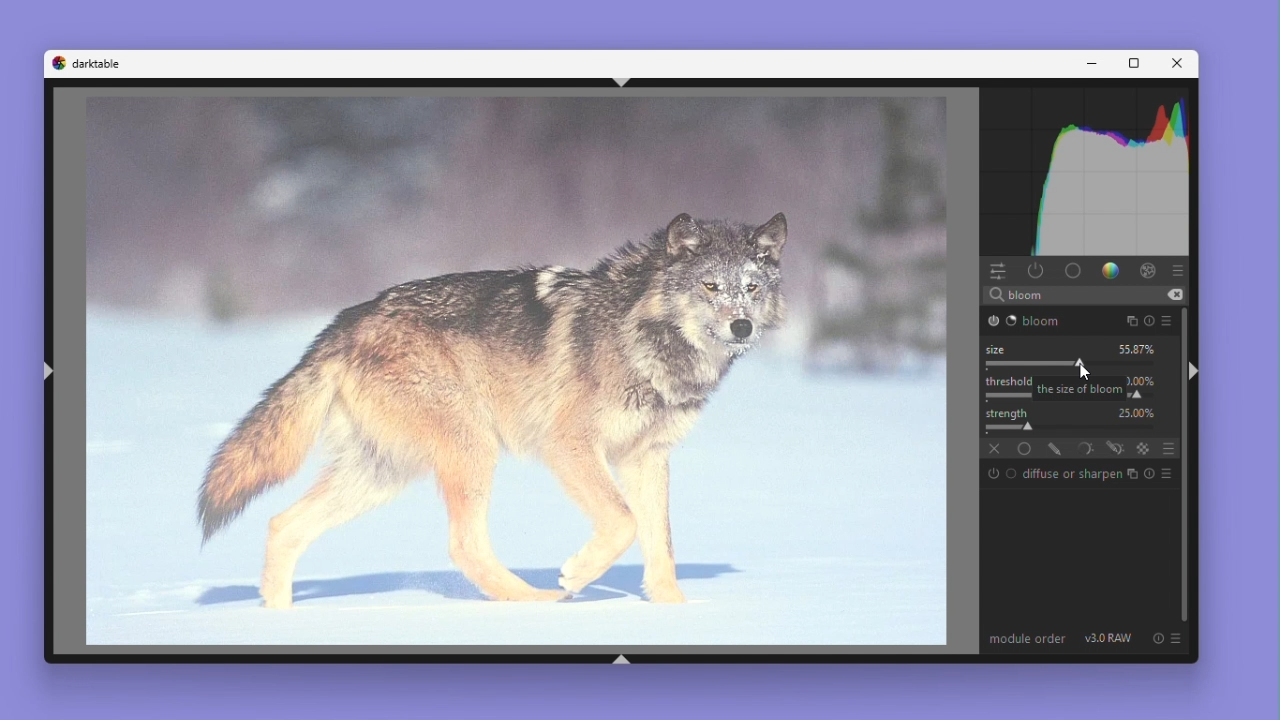  I want to click on Multiple instance, so click(1130, 474).